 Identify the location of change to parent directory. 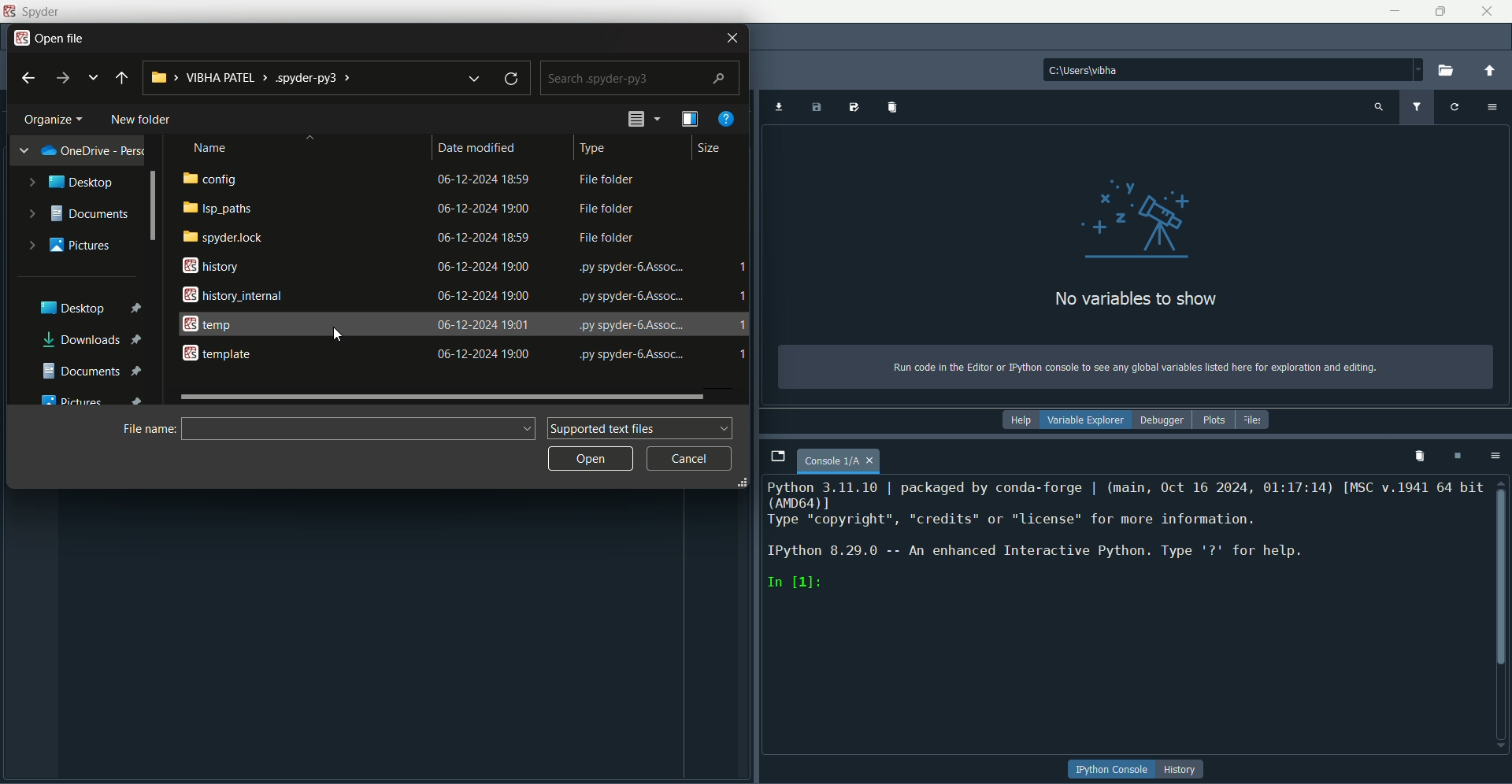
(1495, 72).